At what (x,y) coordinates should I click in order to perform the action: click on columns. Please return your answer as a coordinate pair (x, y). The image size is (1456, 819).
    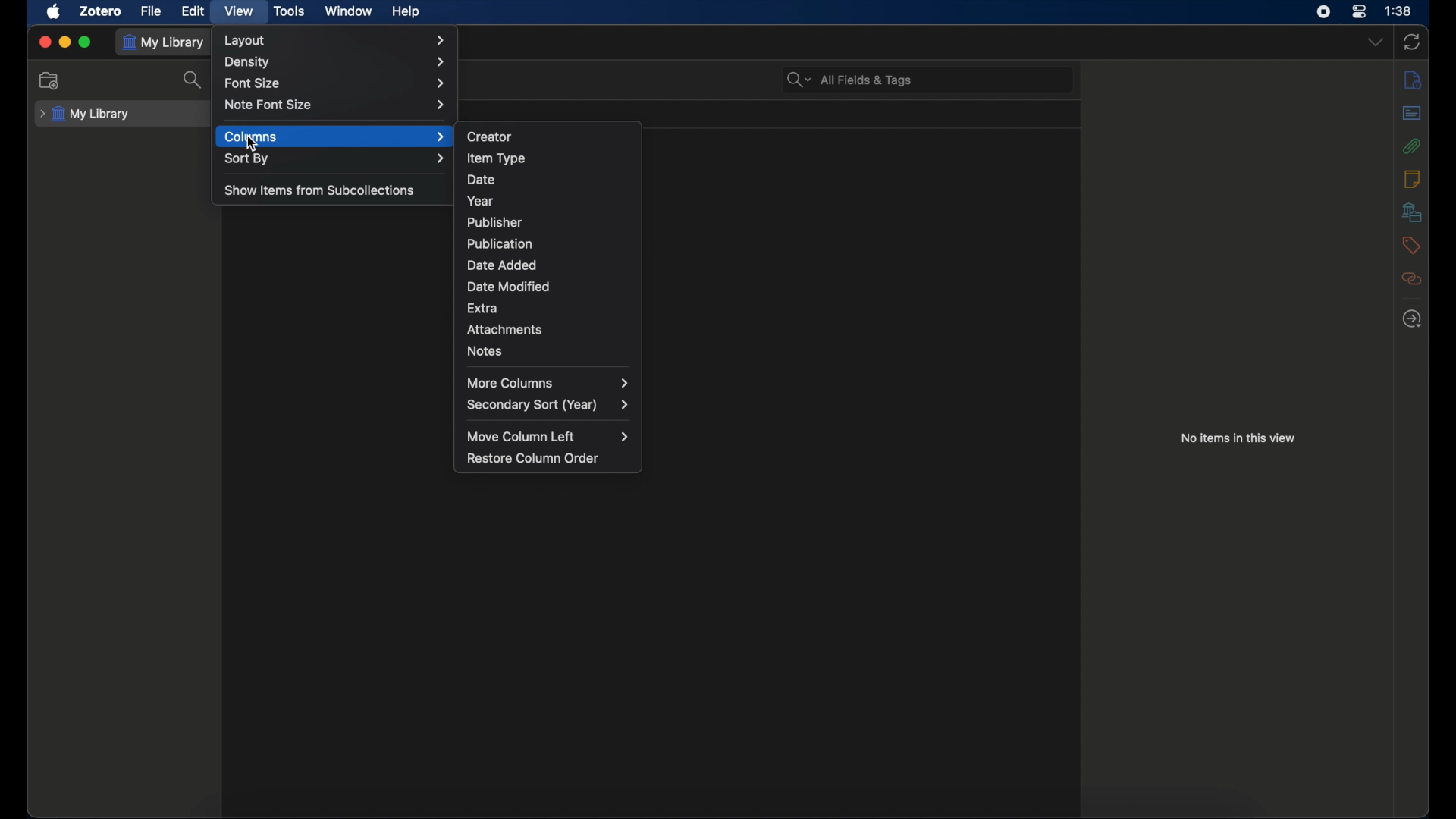
    Looking at the image, I should click on (335, 136).